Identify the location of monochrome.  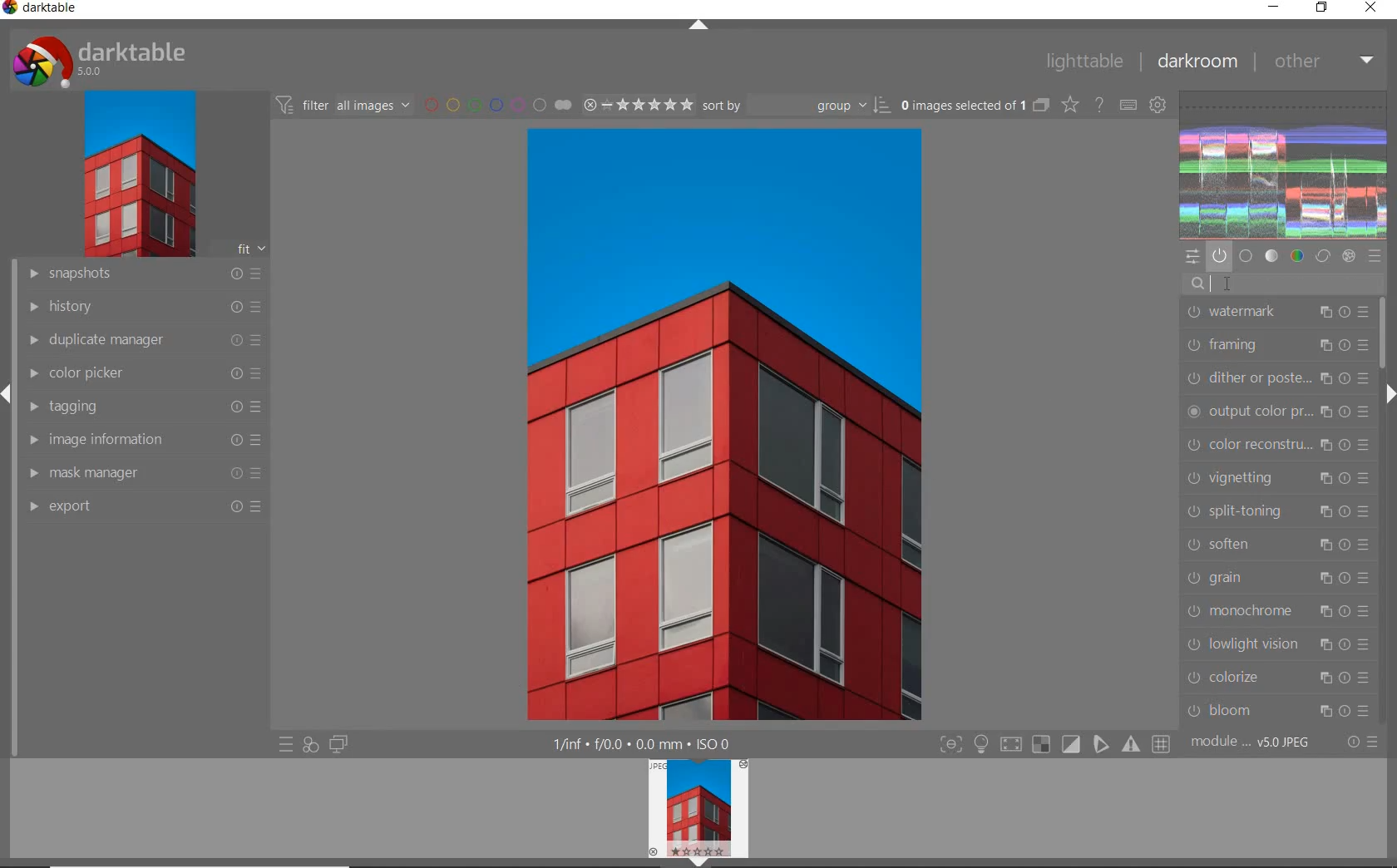
(1278, 611).